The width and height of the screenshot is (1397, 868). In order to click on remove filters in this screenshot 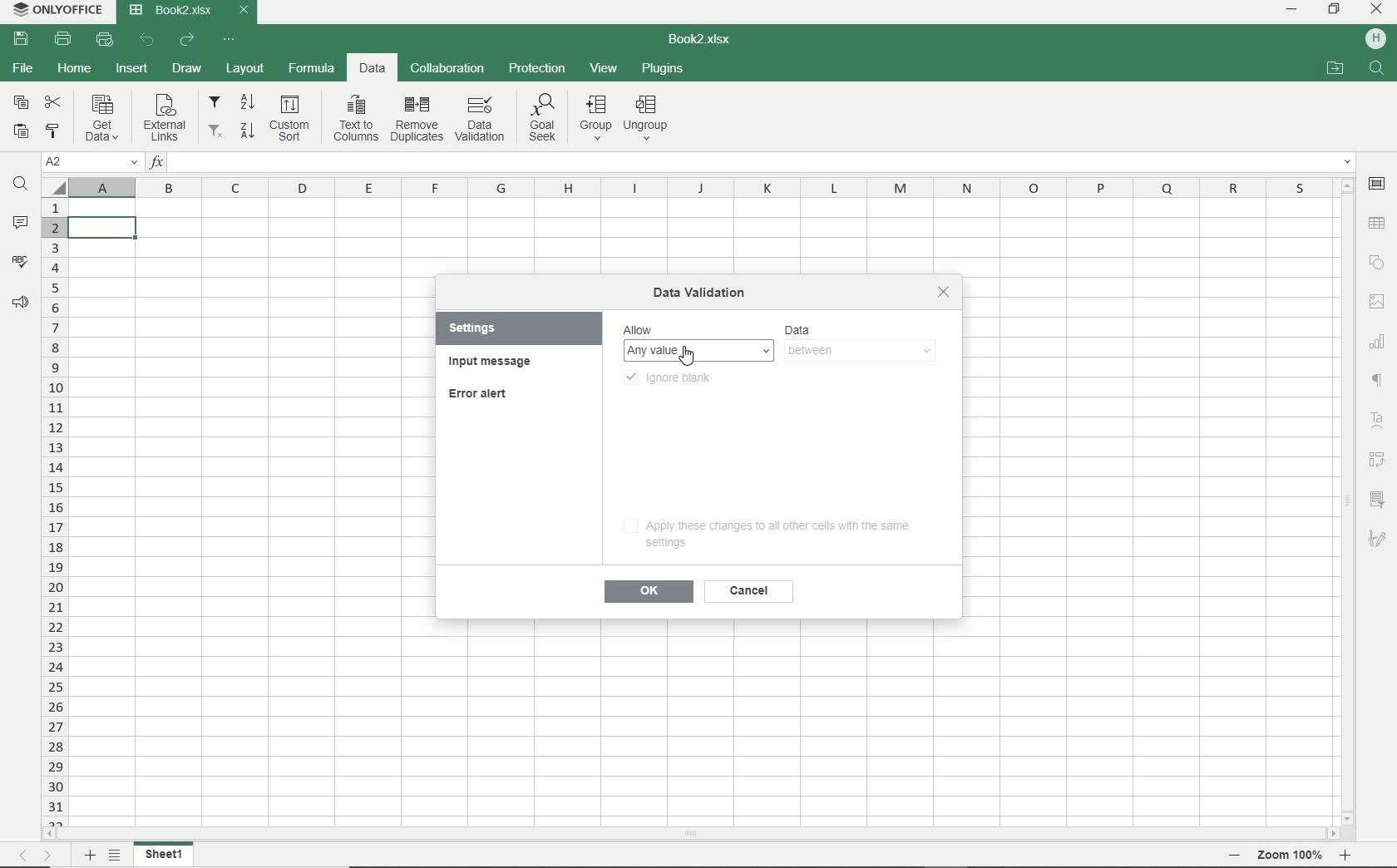, I will do `click(217, 133)`.